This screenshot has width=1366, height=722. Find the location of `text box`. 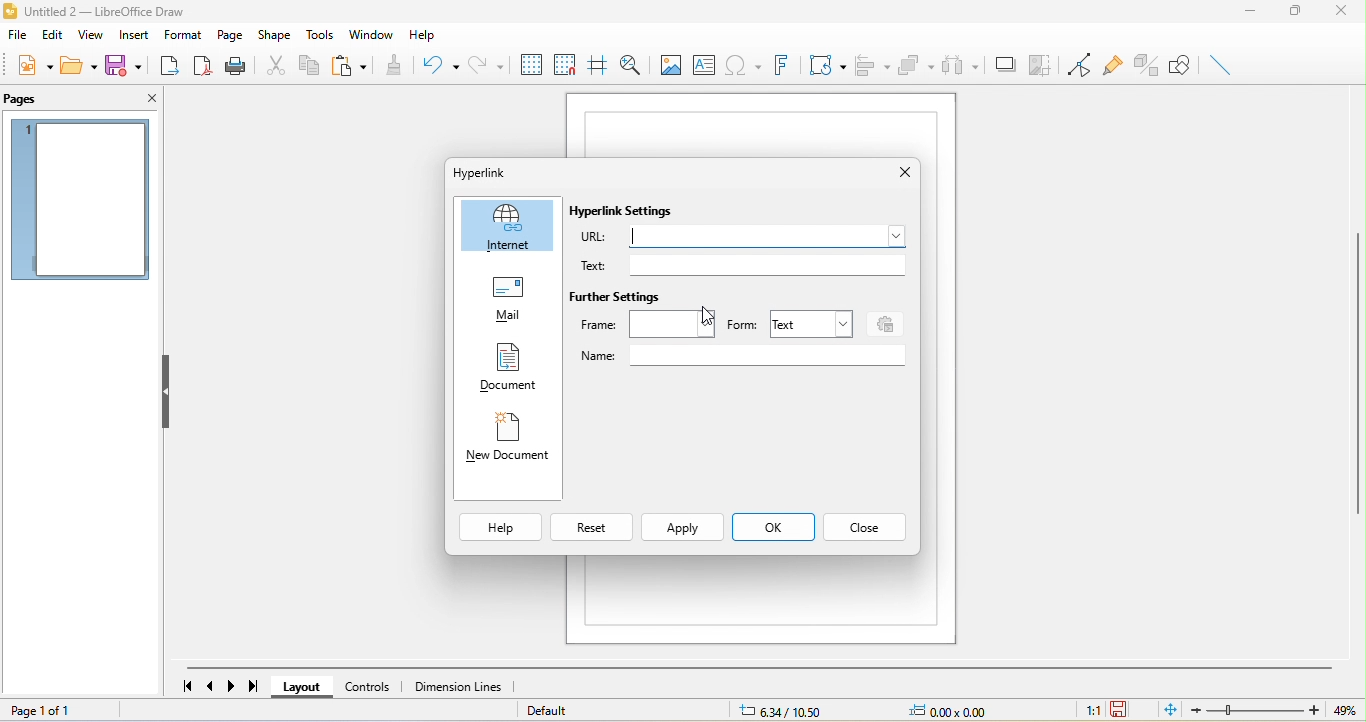

text box is located at coordinates (704, 65).